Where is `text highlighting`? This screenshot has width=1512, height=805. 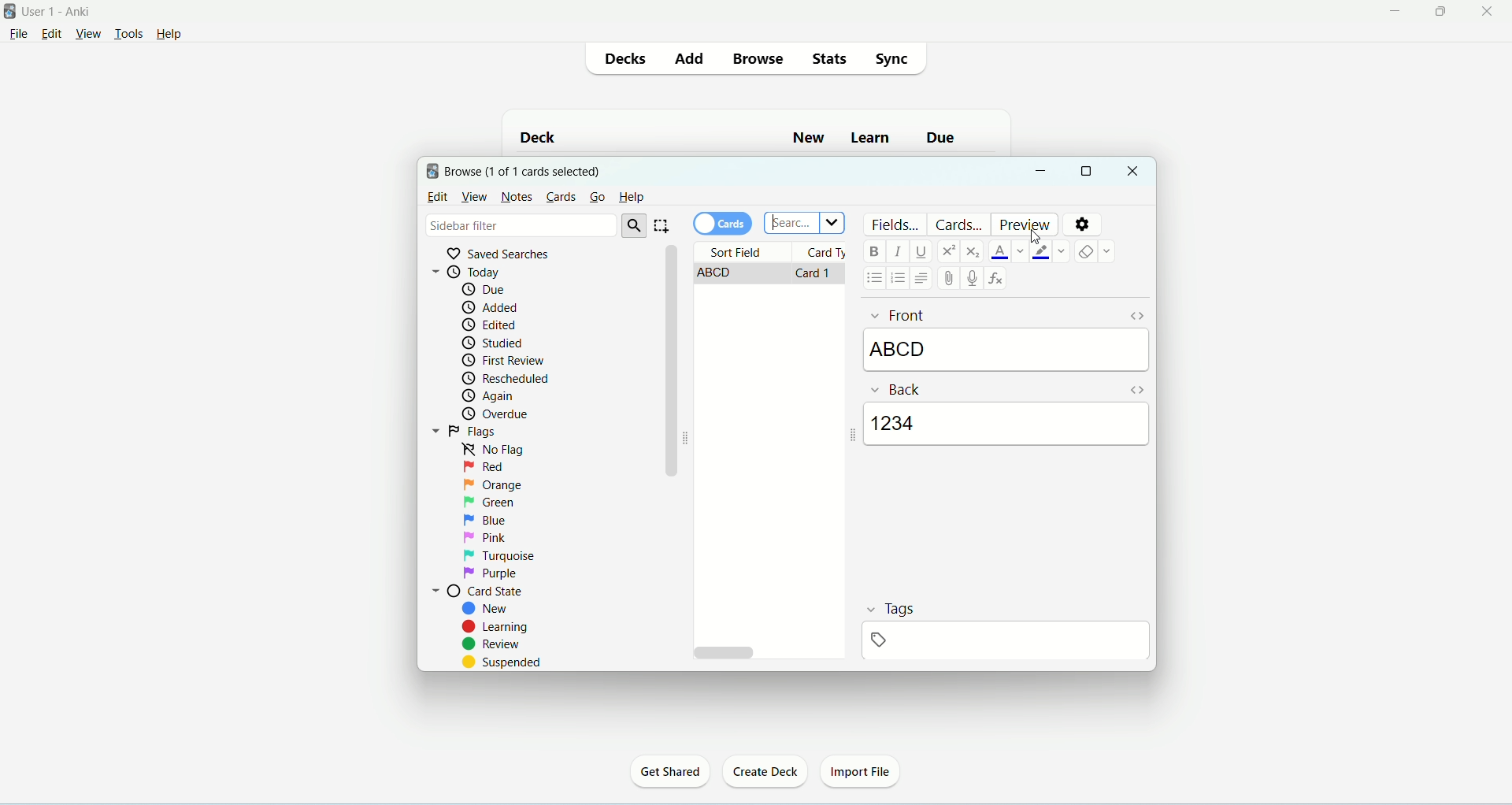 text highlighting is located at coordinates (1049, 252).